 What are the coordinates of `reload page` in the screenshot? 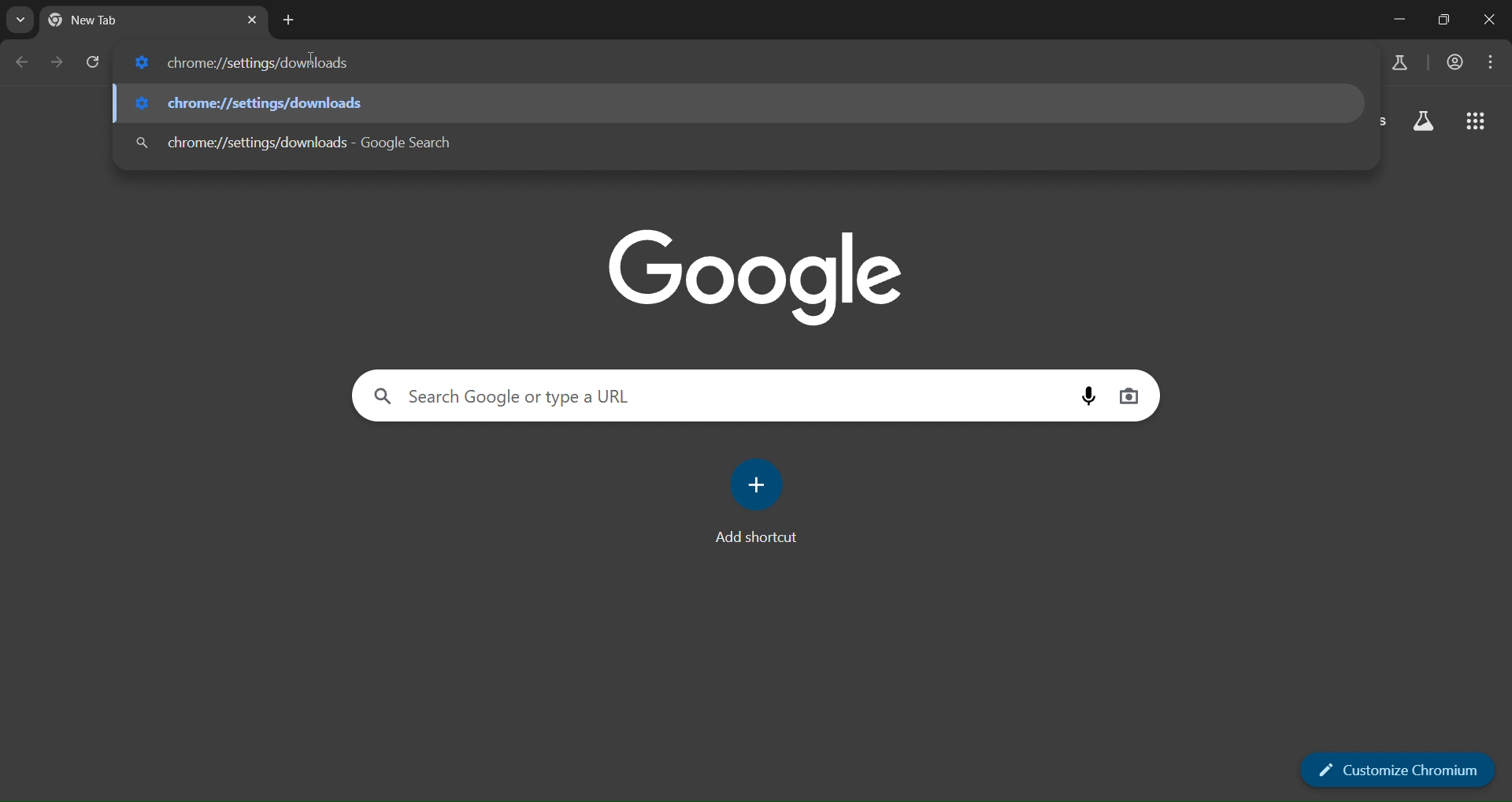 It's located at (91, 62).